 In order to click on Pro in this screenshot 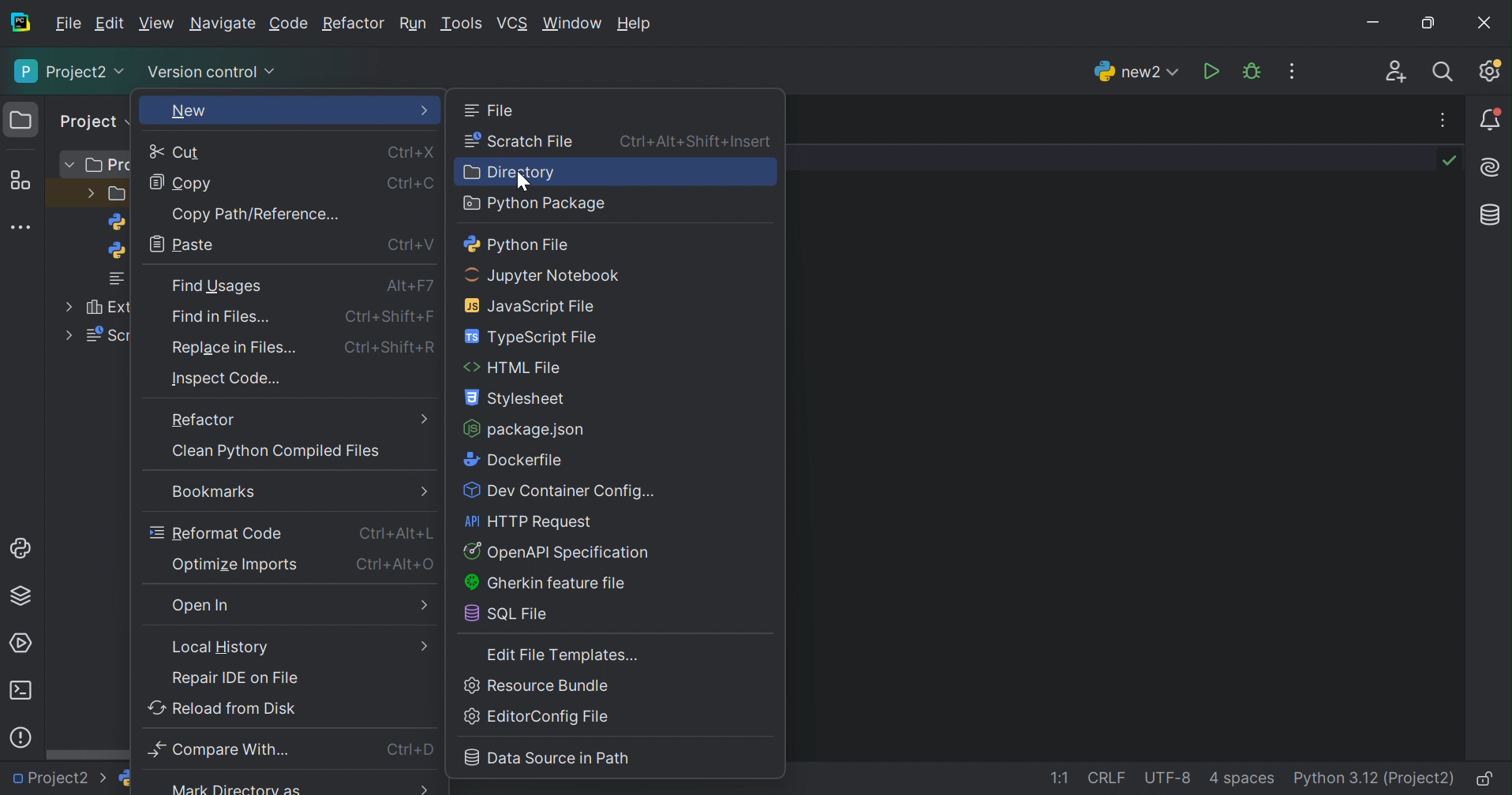, I will do `click(109, 166)`.